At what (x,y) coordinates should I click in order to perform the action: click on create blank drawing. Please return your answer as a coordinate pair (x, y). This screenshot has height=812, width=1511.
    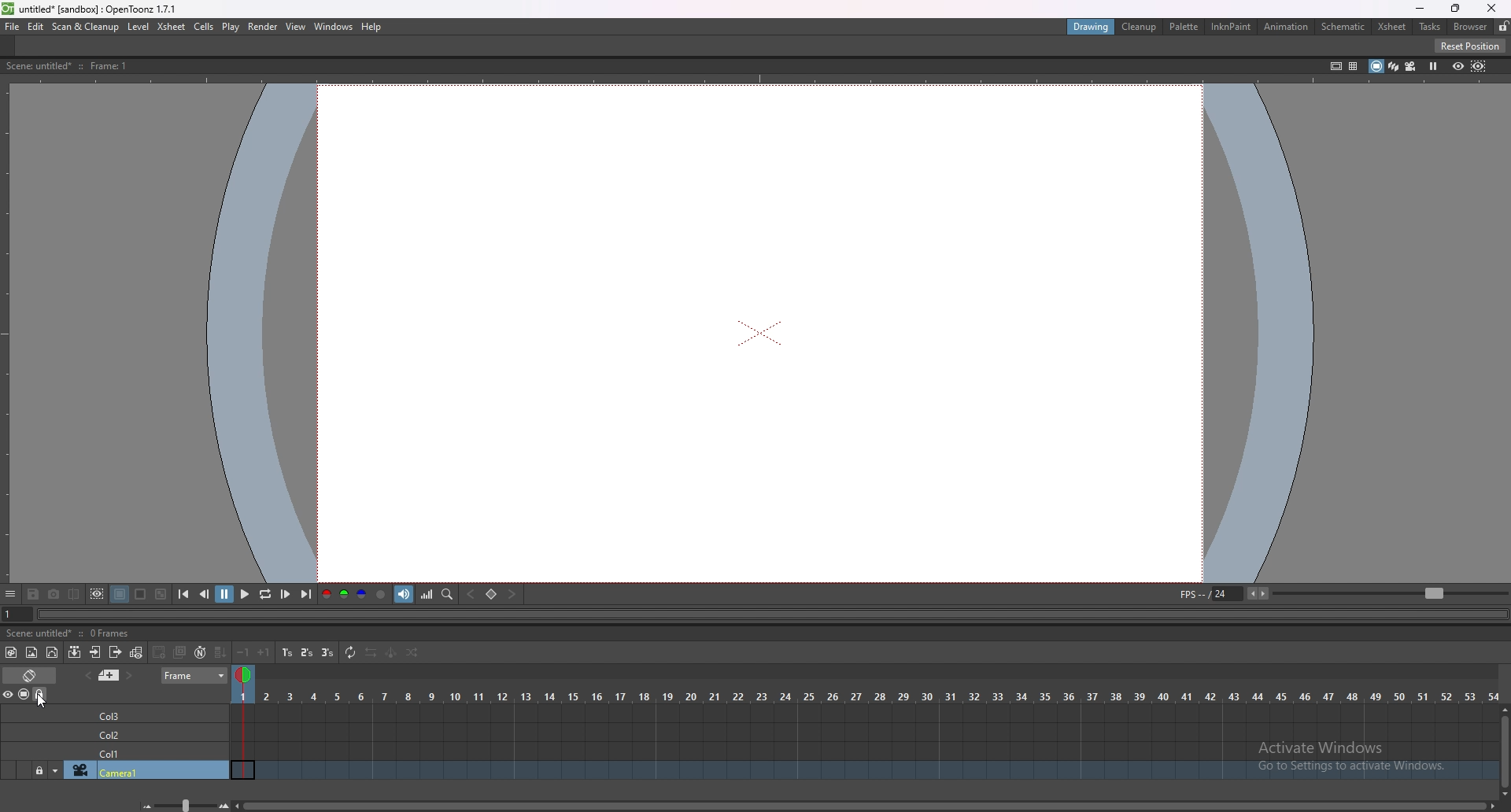
    Looking at the image, I should click on (161, 652).